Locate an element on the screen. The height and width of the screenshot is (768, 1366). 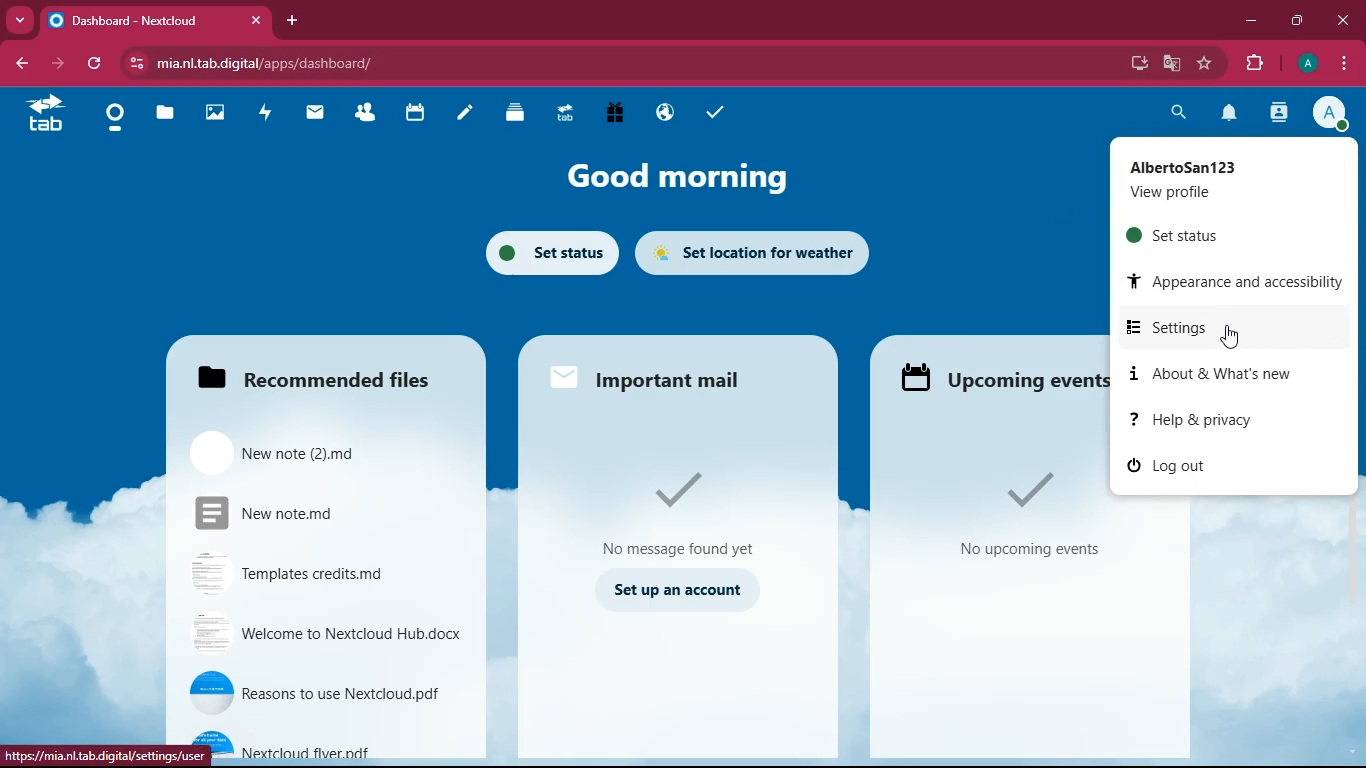
contacts is located at coordinates (1277, 115).